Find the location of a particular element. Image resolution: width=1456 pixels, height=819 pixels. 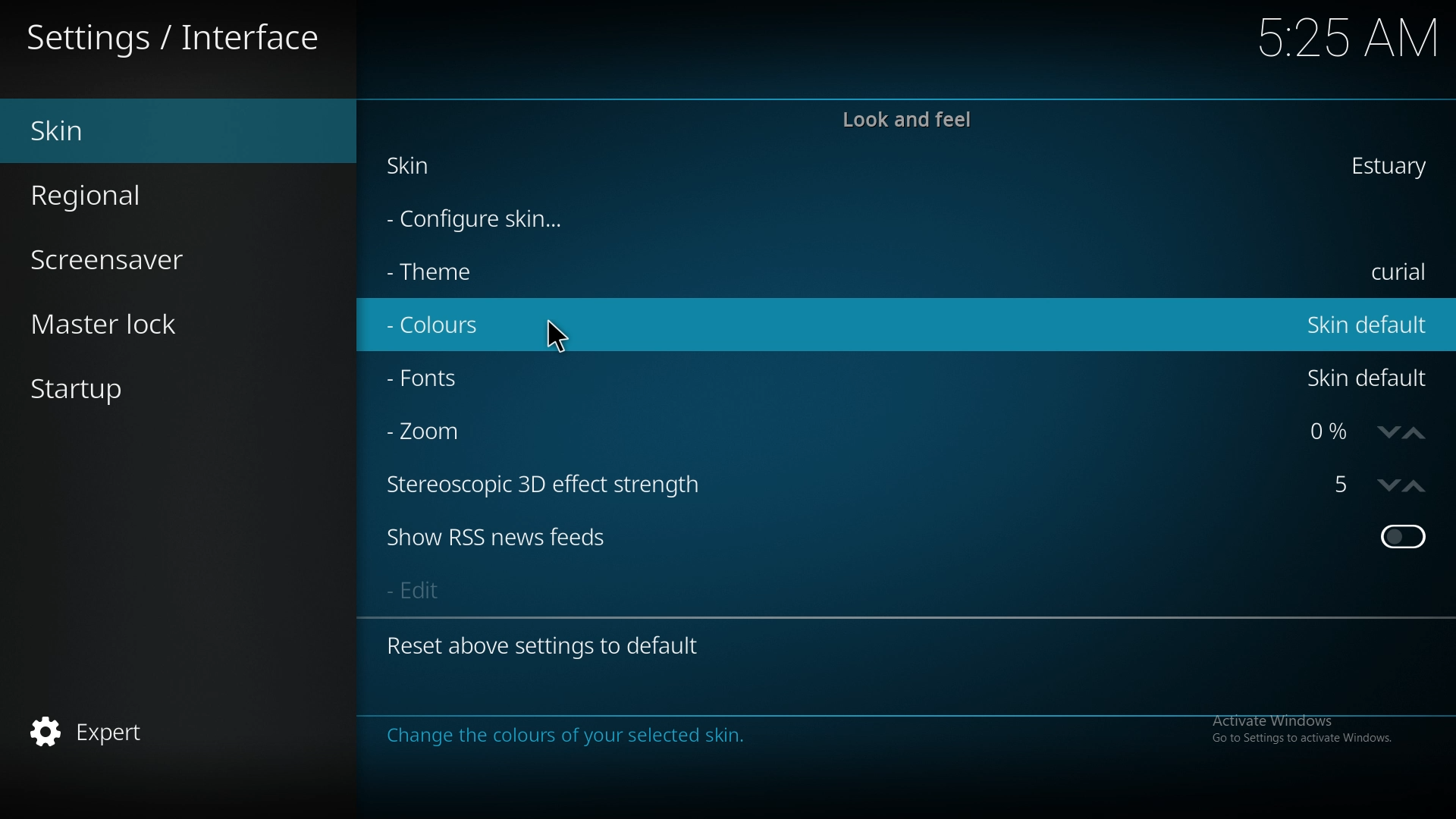

edit is located at coordinates (453, 590).